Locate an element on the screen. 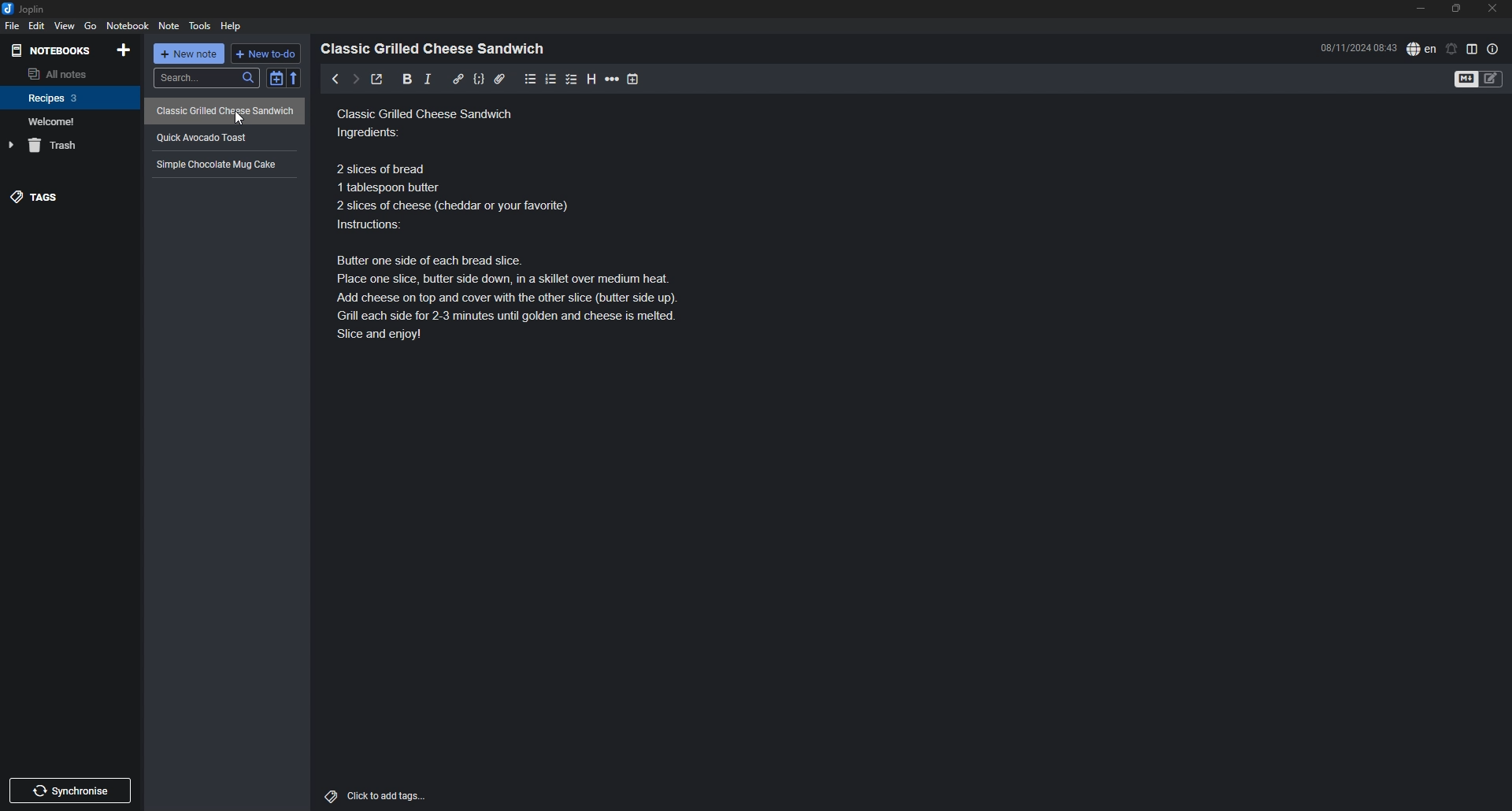  heading is located at coordinates (437, 49).